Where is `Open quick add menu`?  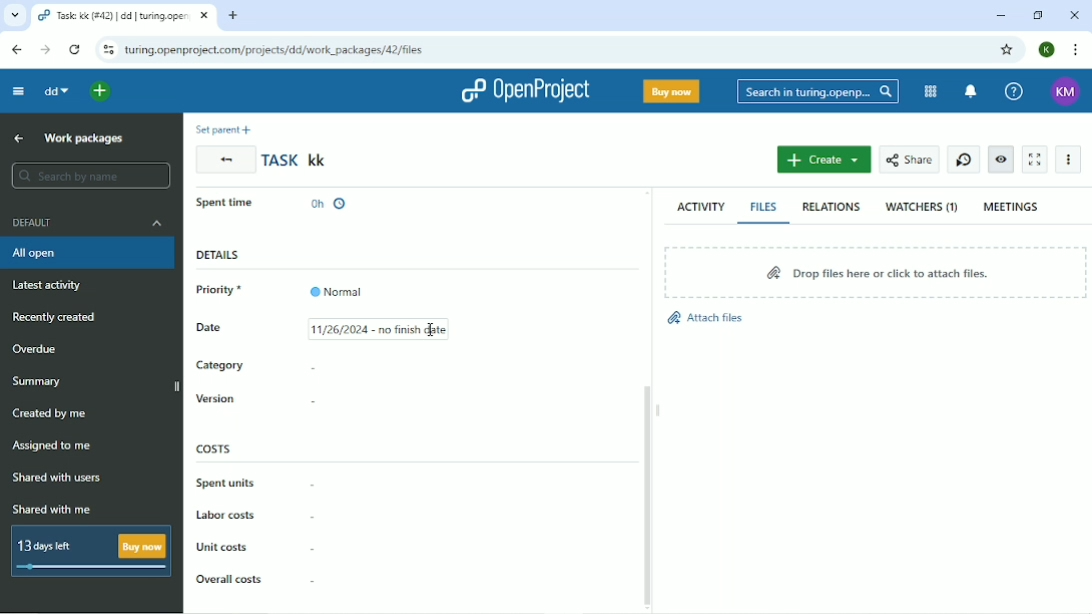
Open quick add menu is located at coordinates (103, 92).